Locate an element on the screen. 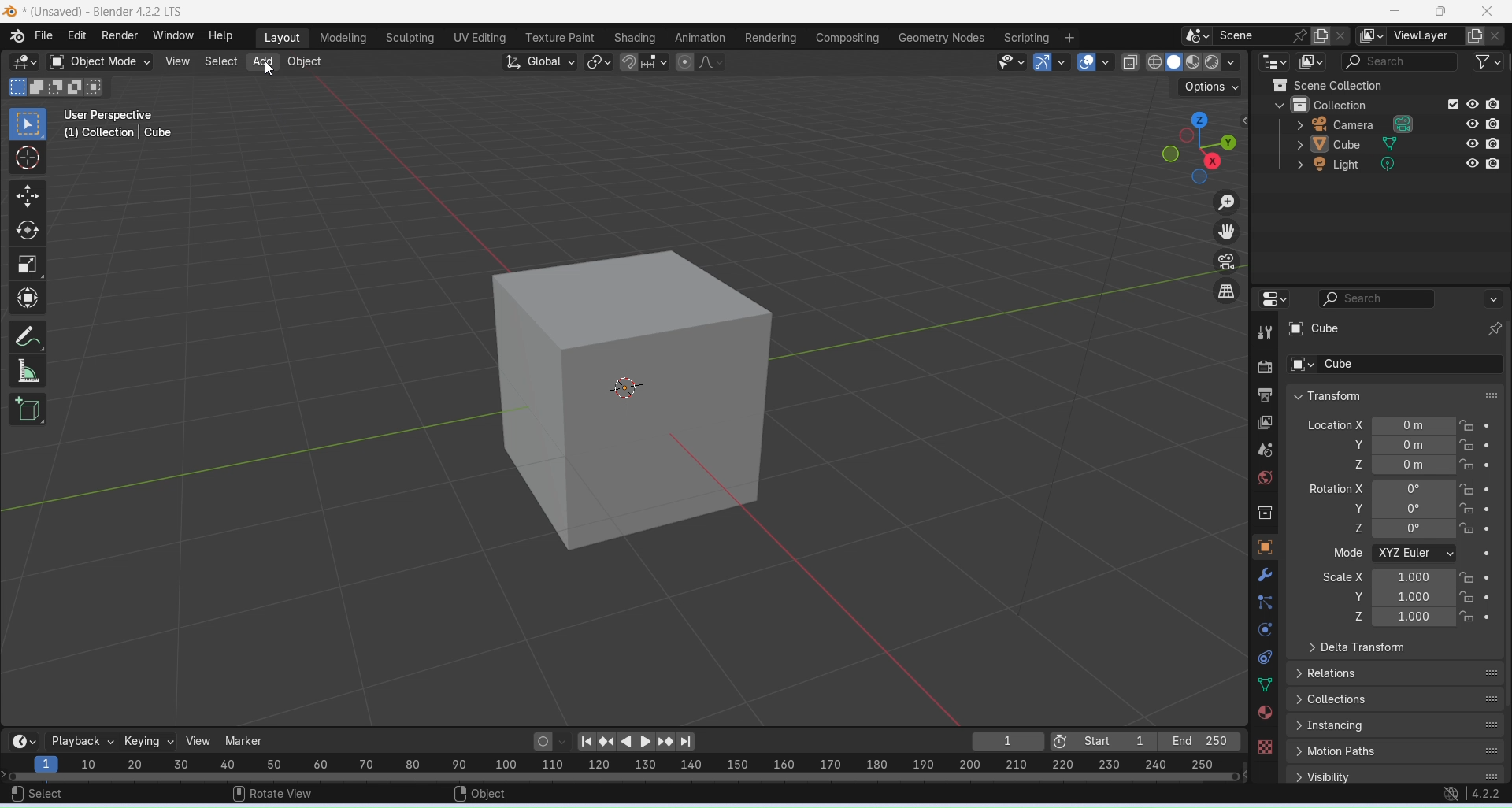 The height and width of the screenshot is (808, 1512). Auto keying is located at coordinates (542, 740).